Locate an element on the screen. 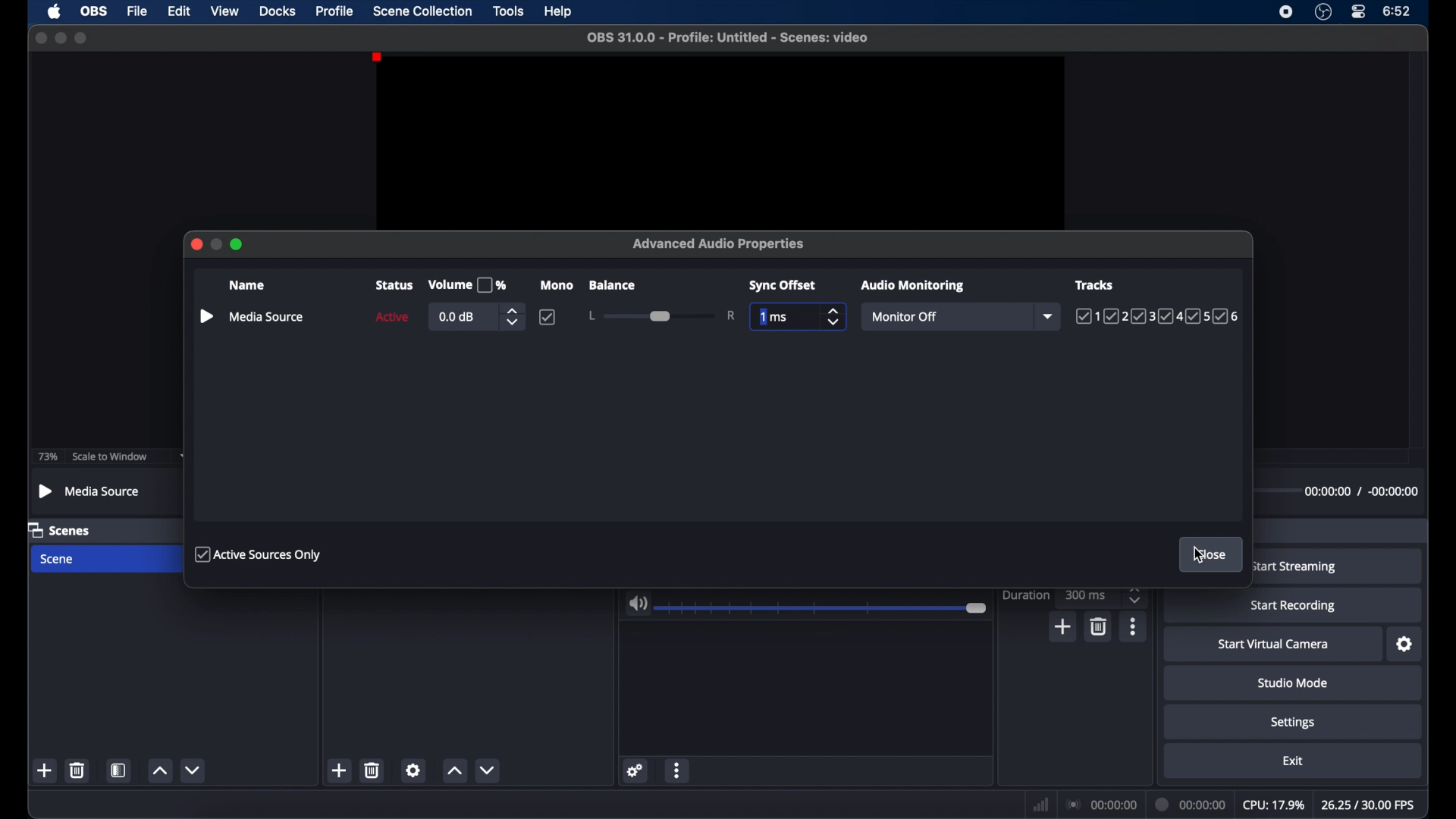 This screenshot has height=819, width=1456. filename is located at coordinates (729, 37).